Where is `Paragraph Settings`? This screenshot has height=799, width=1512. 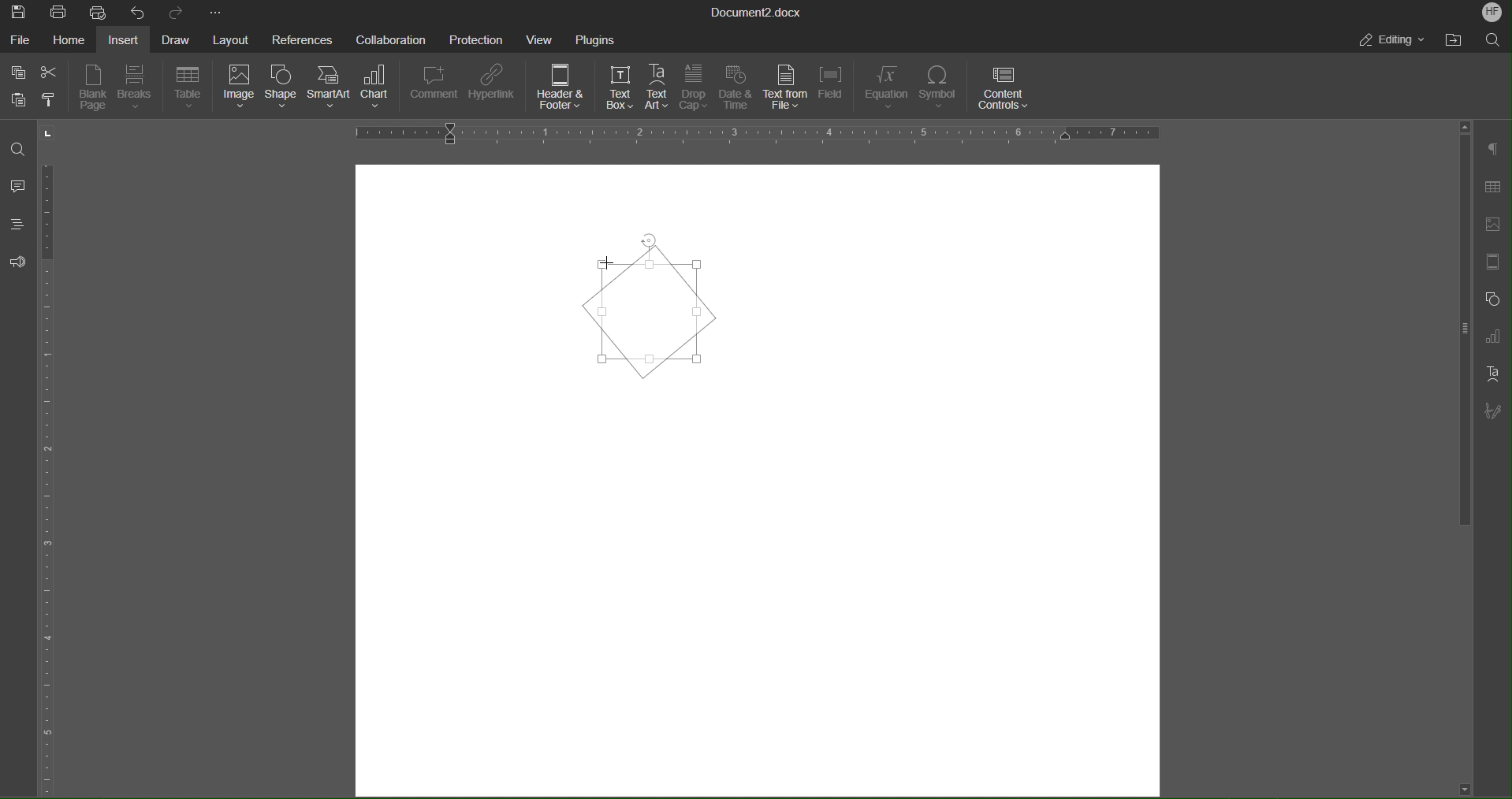
Paragraph Settings is located at coordinates (1493, 150).